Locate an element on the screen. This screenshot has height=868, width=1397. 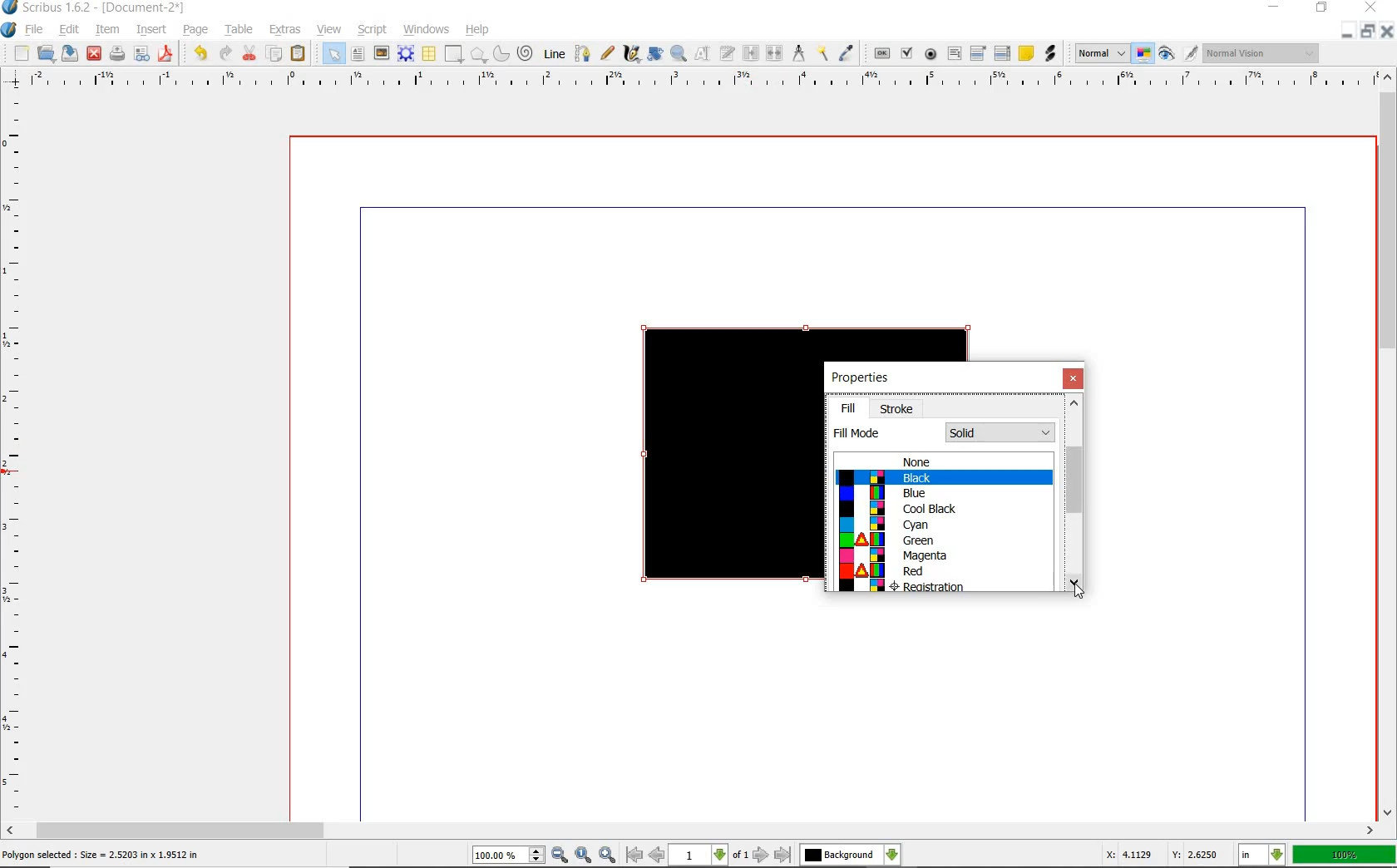
RESTORE is located at coordinates (1321, 11).